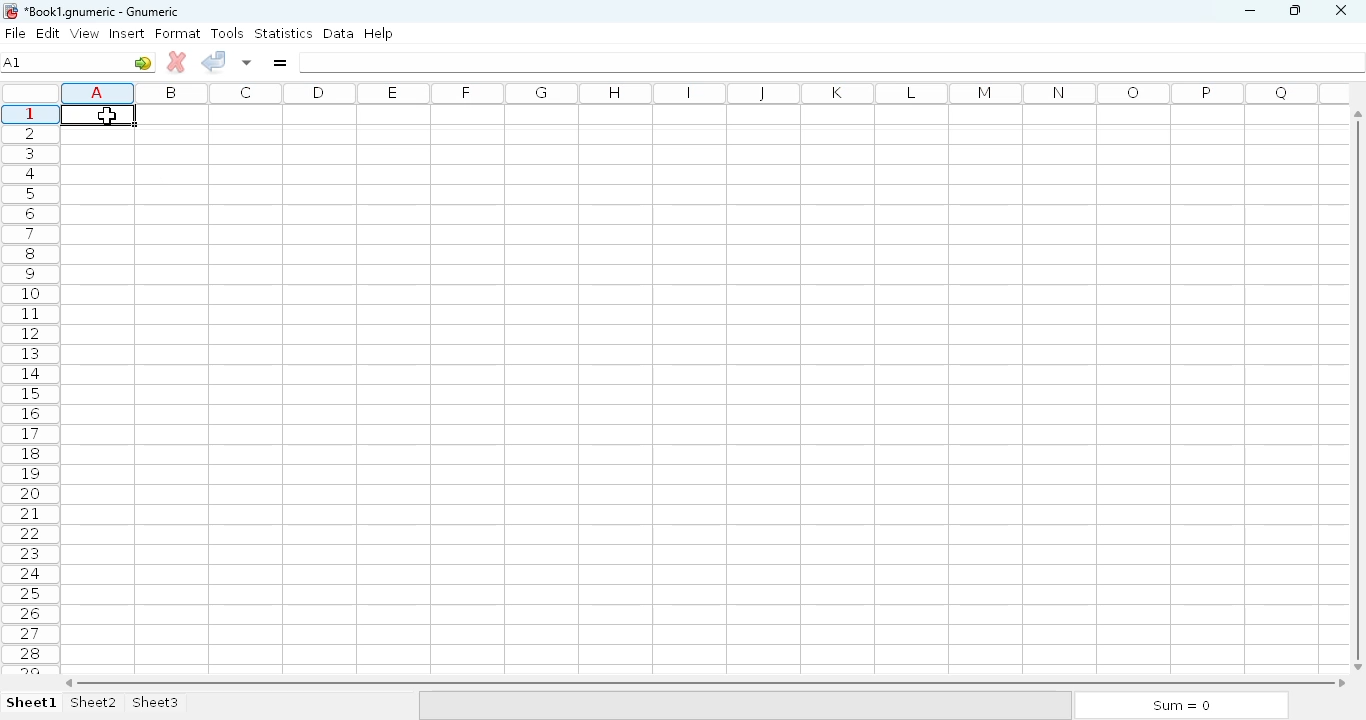  What do you see at coordinates (127, 33) in the screenshot?
I see `insert` at bounding box center [127, 33].